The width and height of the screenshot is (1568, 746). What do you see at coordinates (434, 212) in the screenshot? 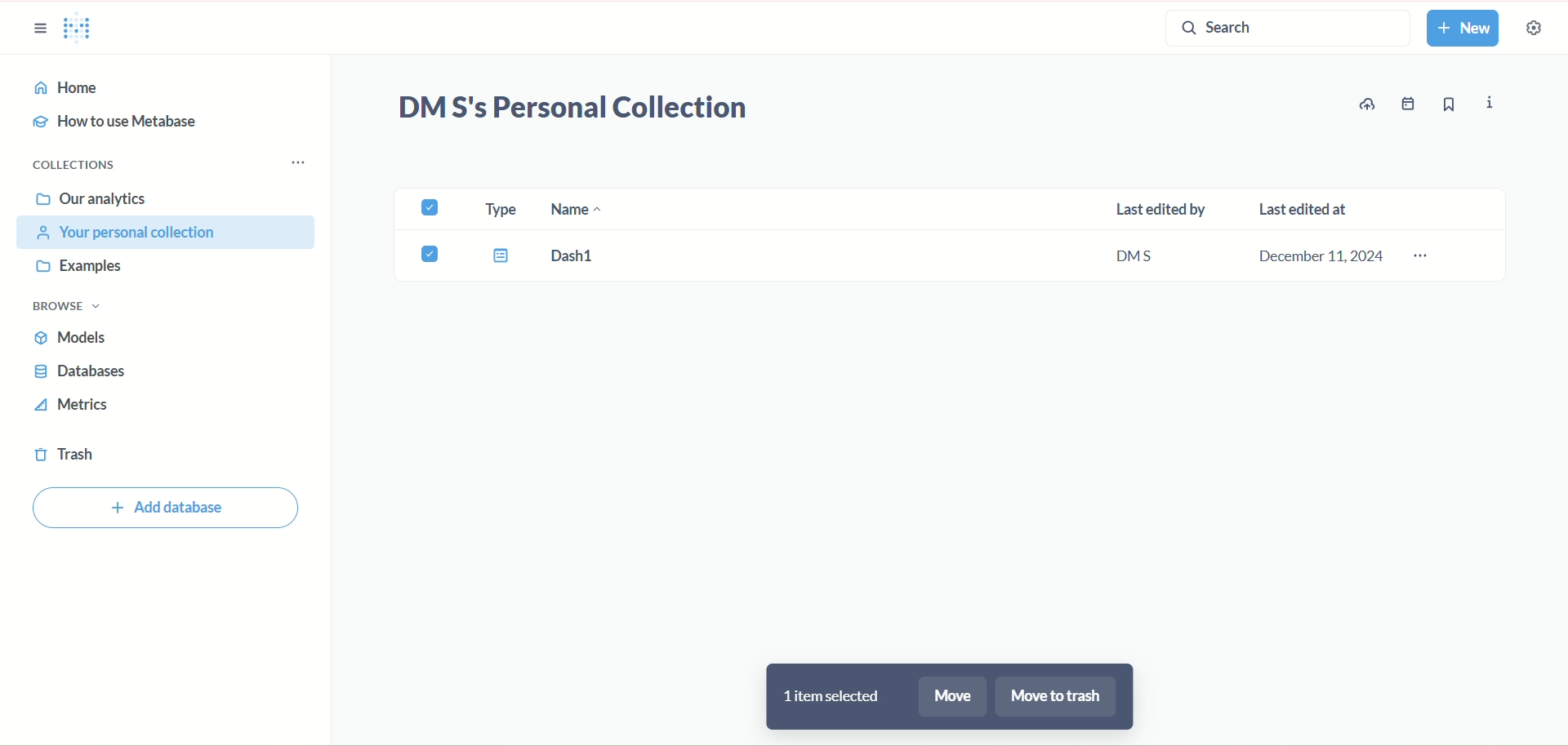
I see `check box` at bounding box center [434, 212].